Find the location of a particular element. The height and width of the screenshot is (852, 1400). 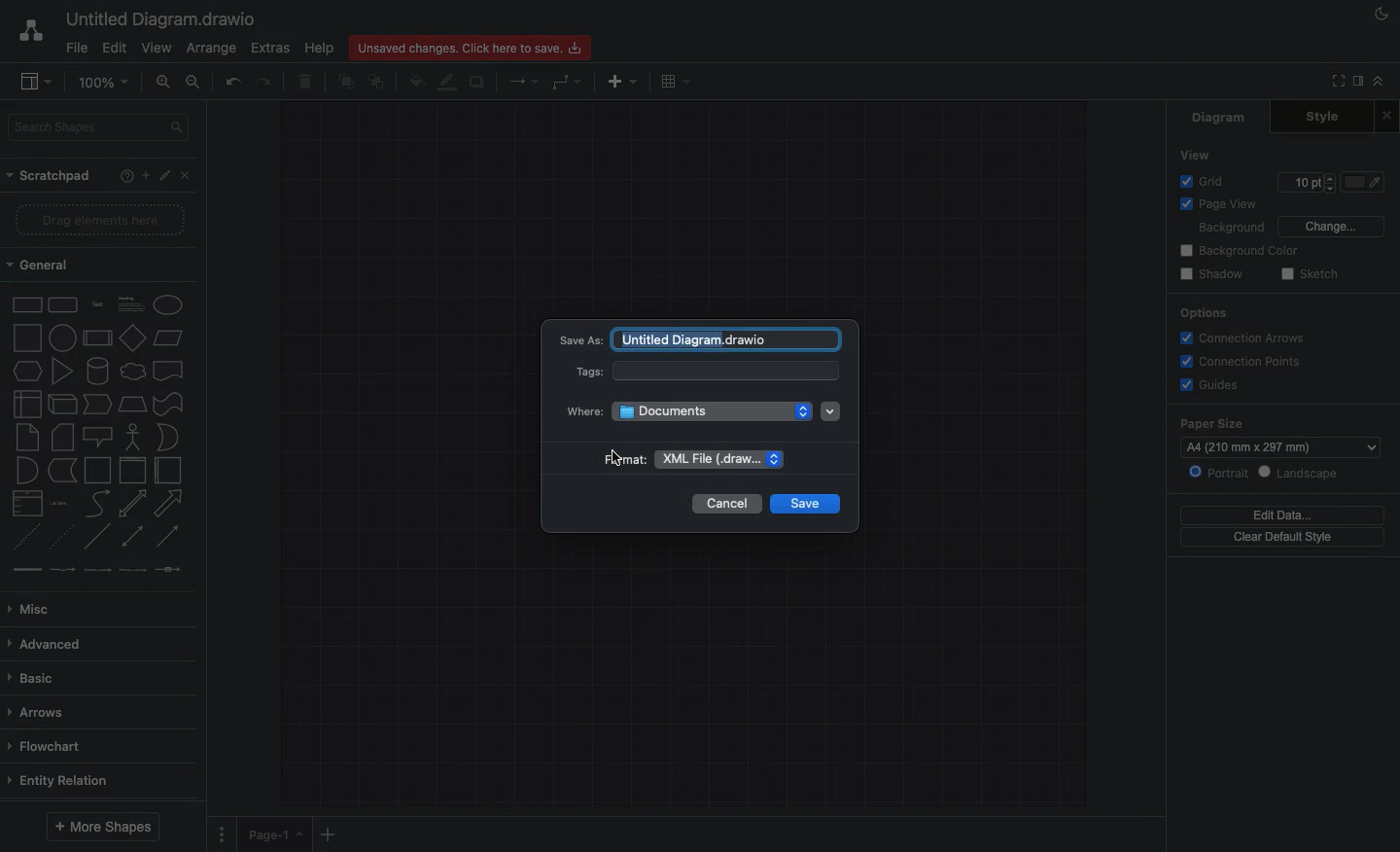

Save as is located at coordinates (579, 337).